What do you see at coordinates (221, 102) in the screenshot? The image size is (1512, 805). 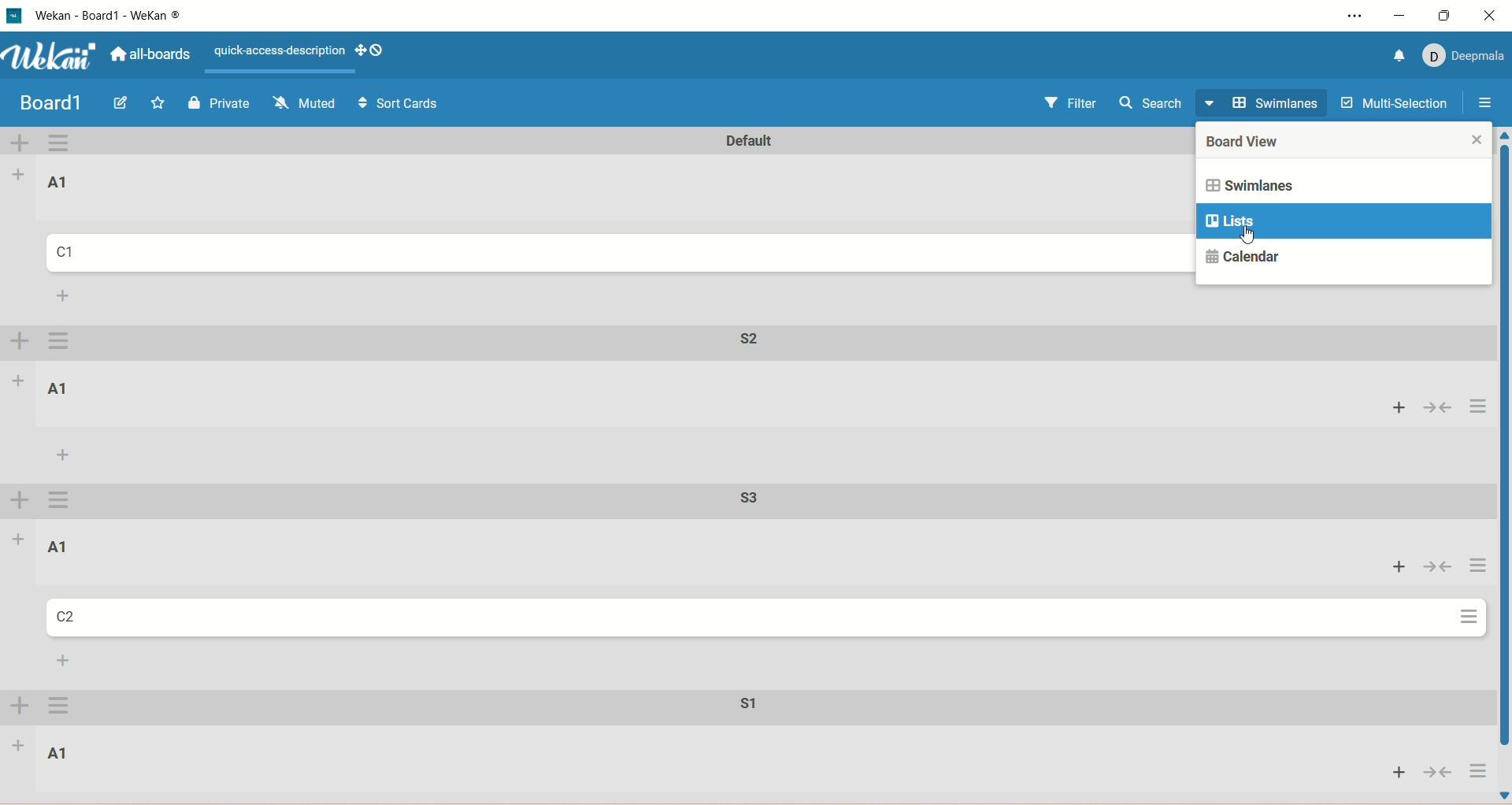 I see `private` at bounding box center [221, 102].